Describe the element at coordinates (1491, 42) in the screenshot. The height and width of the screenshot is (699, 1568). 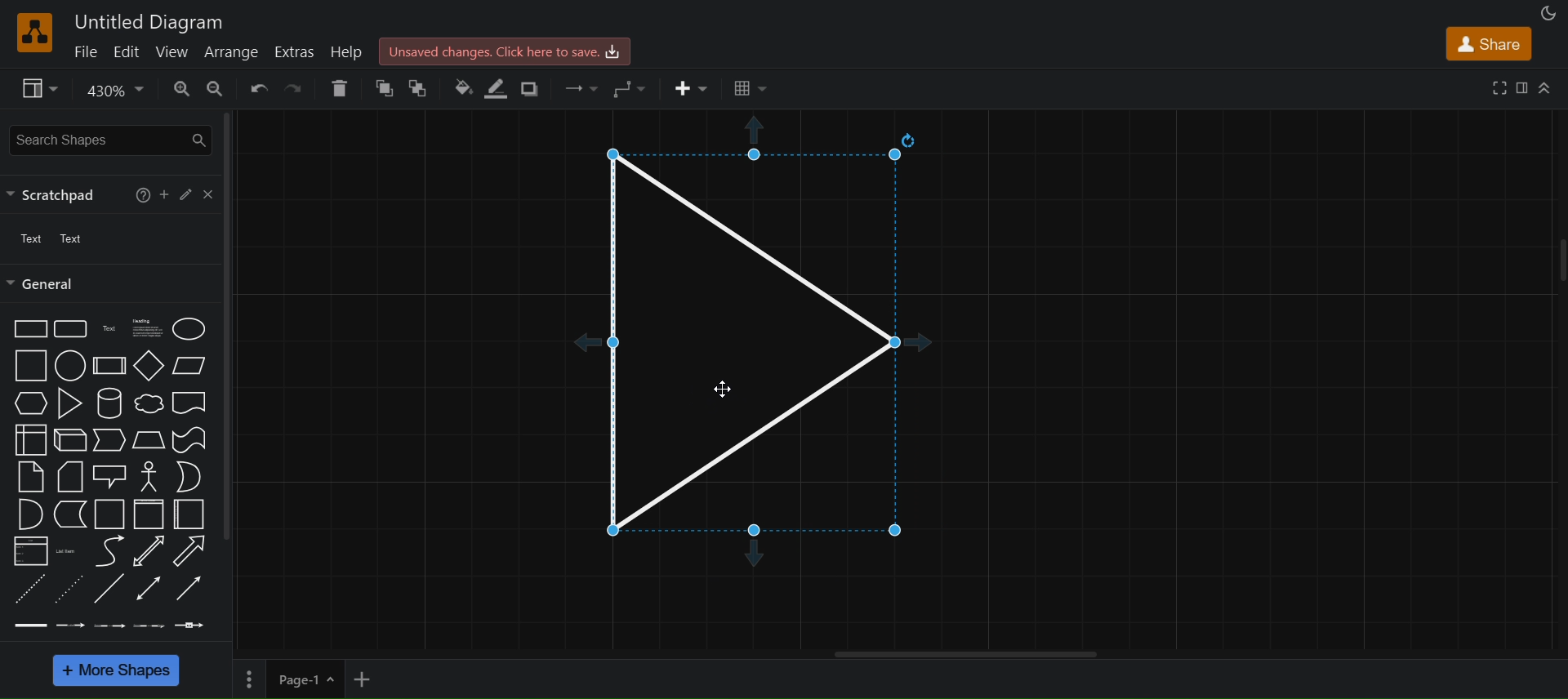
I see `share` at that location.